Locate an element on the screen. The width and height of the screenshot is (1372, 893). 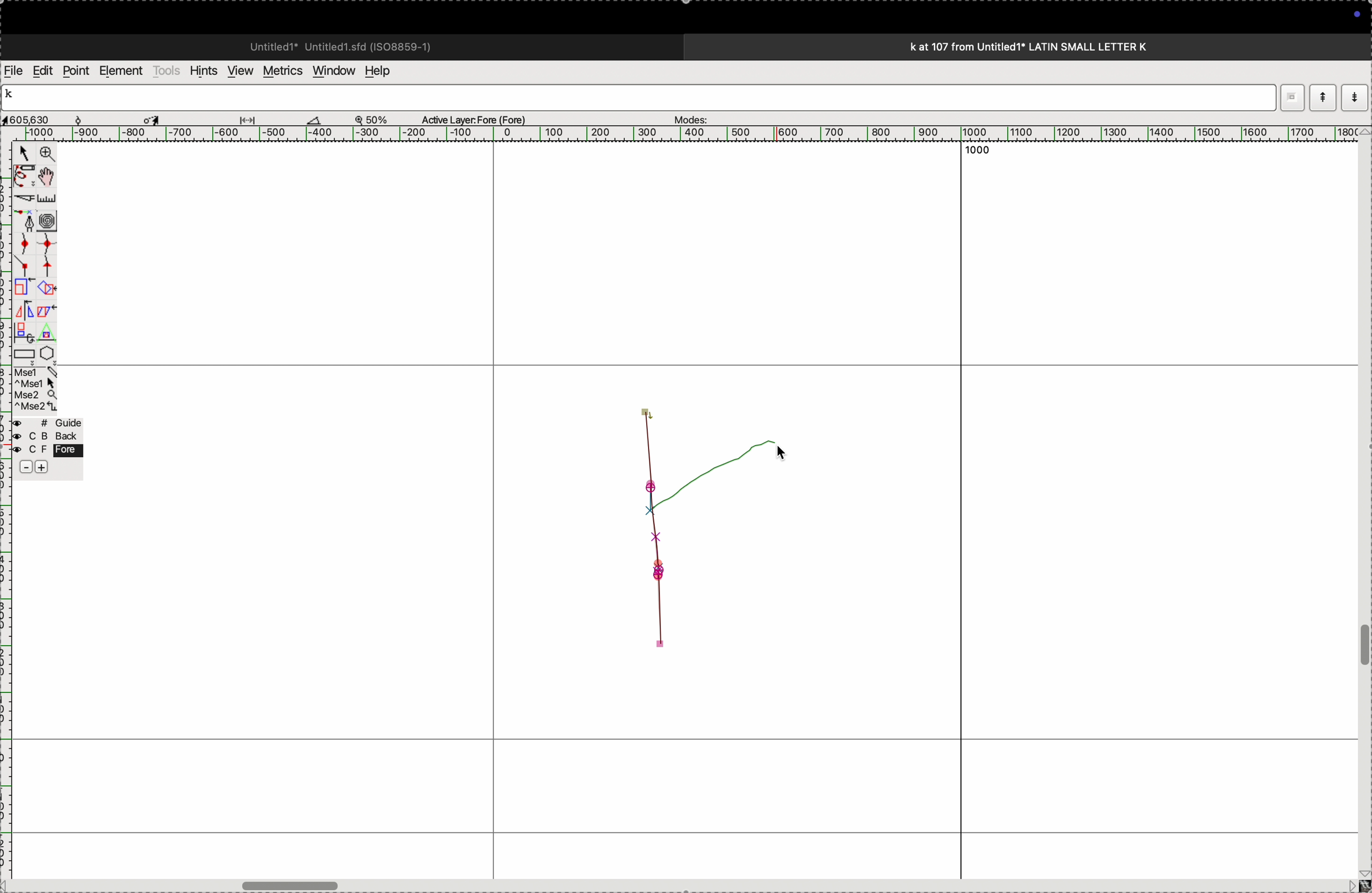
polygon is located at coordinates (47, 353).